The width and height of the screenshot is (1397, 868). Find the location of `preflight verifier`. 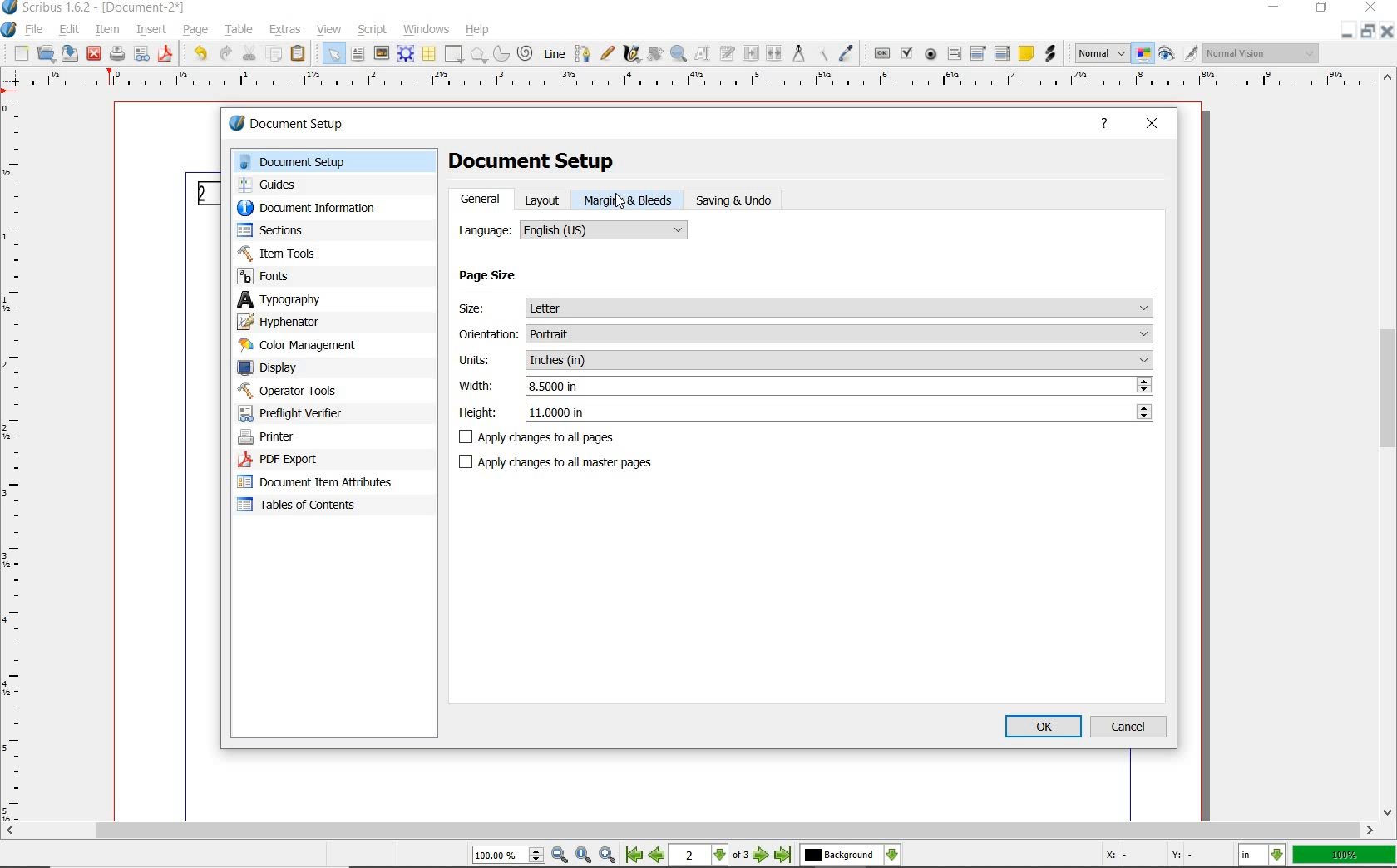

preflight verifier is located at coordinates (294, 415).